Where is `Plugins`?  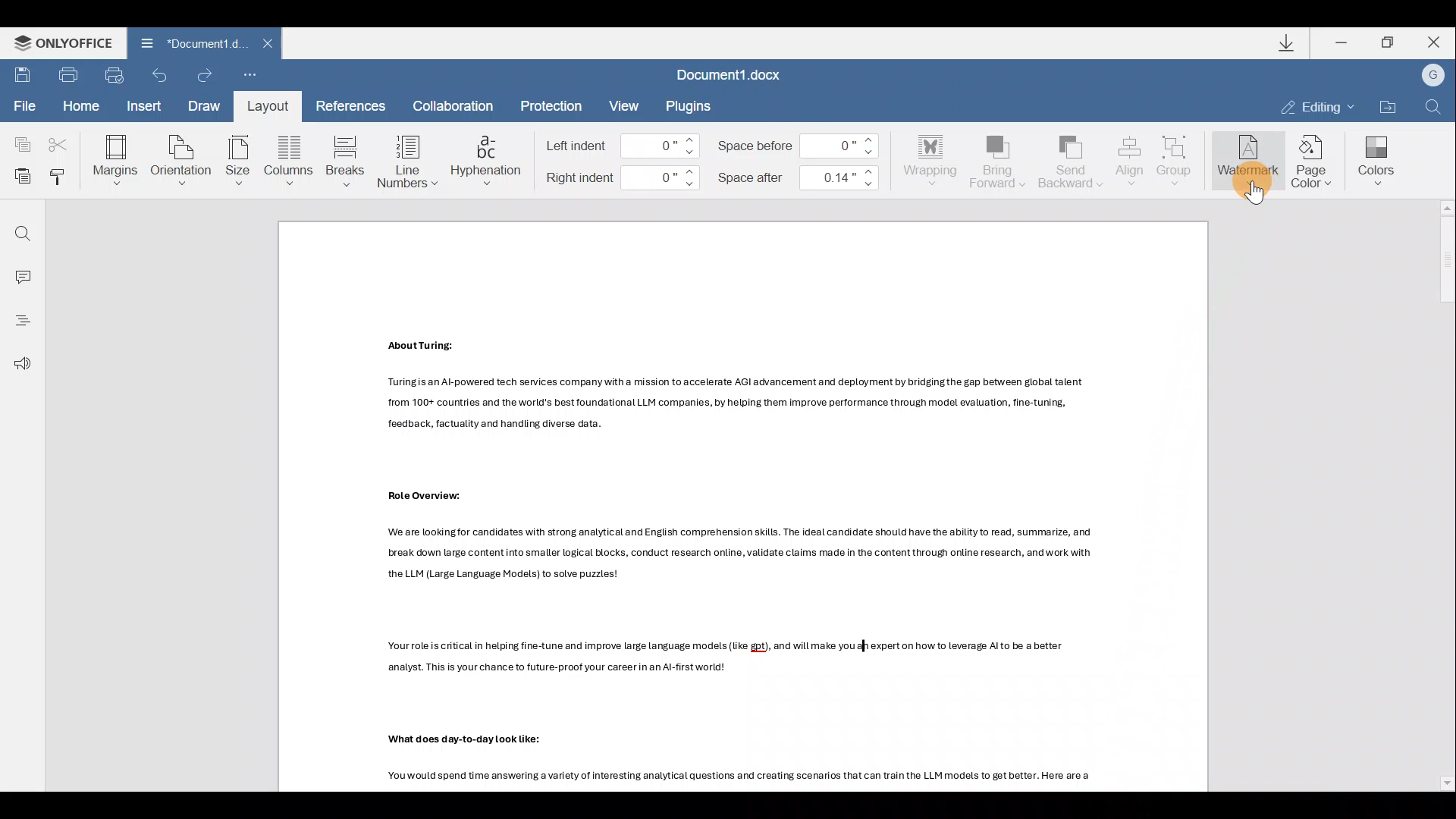
Plugins is located at coordinates (692, 106).